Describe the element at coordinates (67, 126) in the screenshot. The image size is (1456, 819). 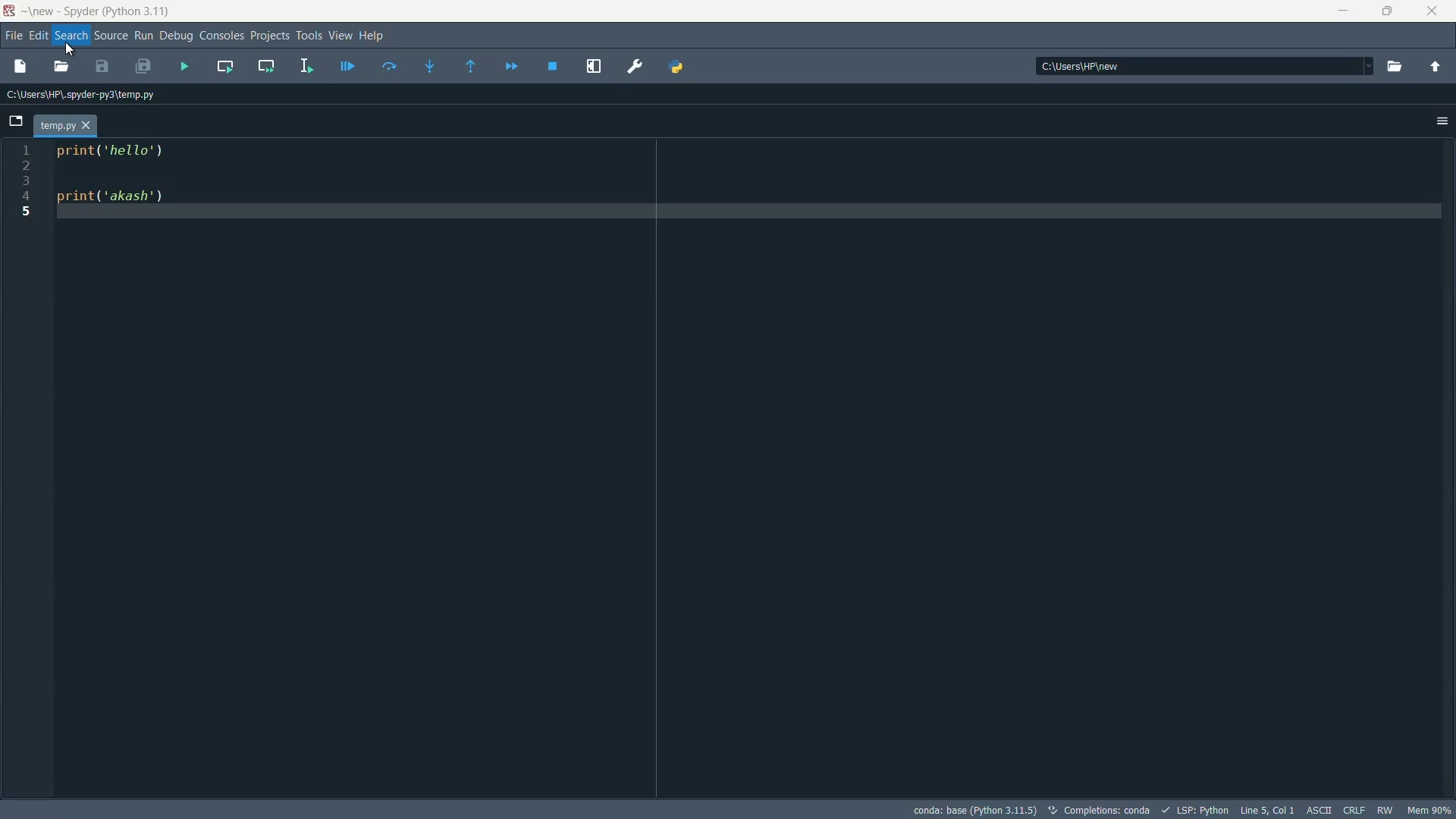
I see `file tab` at that location.